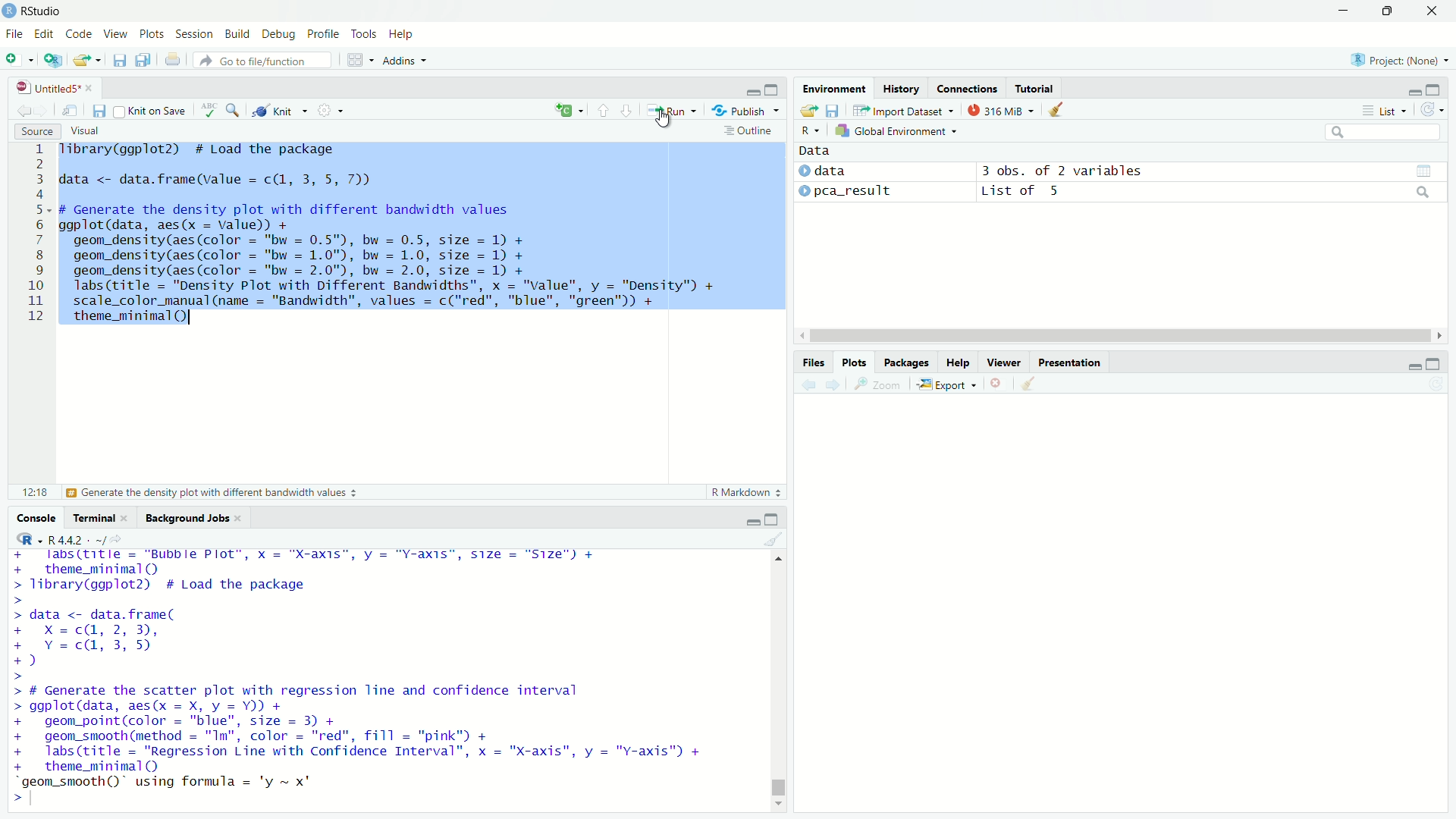 This screenshot has height=819, width=1456. I want to click on R Markdown, so click(748, 492).